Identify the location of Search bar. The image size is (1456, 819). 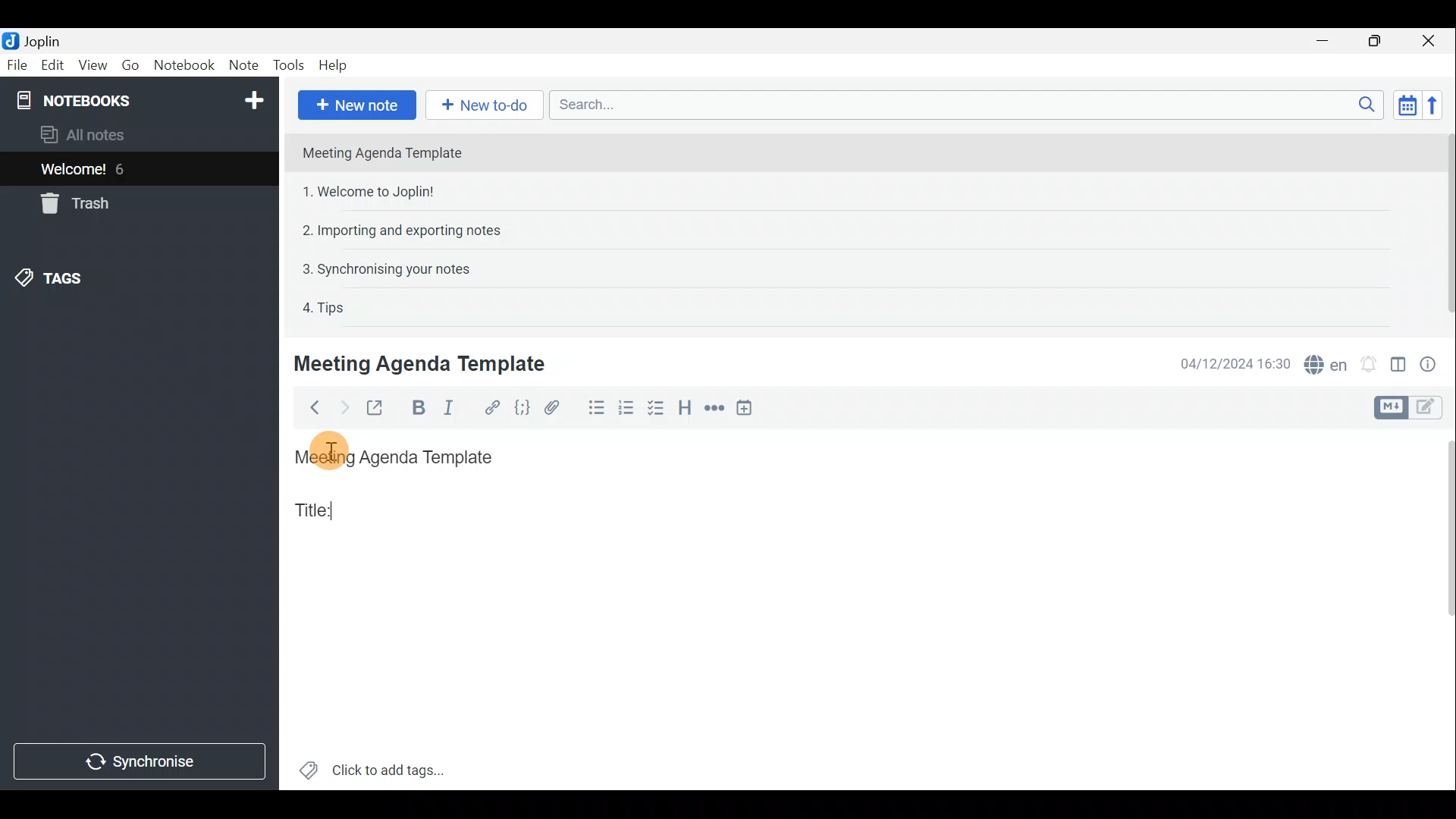
(962, 104).